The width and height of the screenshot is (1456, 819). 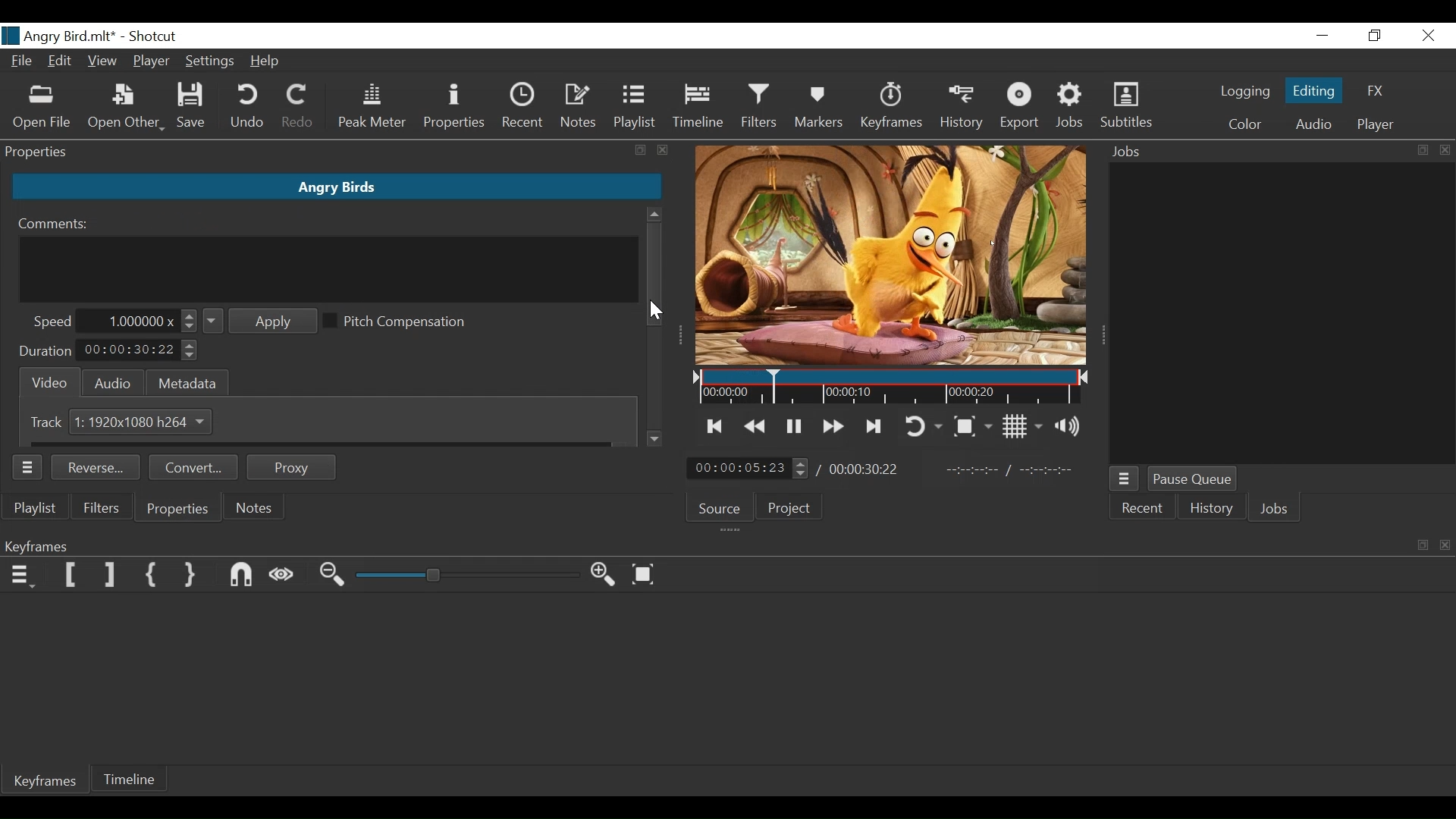 I want to click on Scroll up, so click(x=654, y=215).